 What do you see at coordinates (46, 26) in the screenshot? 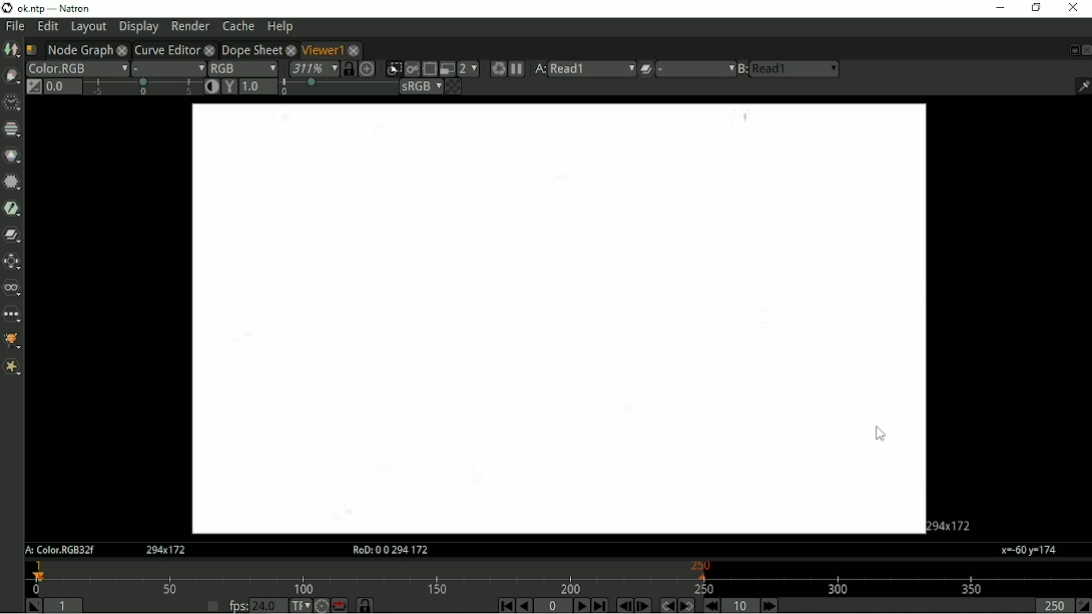
I see `Edit` at bounding box center [46, 26].